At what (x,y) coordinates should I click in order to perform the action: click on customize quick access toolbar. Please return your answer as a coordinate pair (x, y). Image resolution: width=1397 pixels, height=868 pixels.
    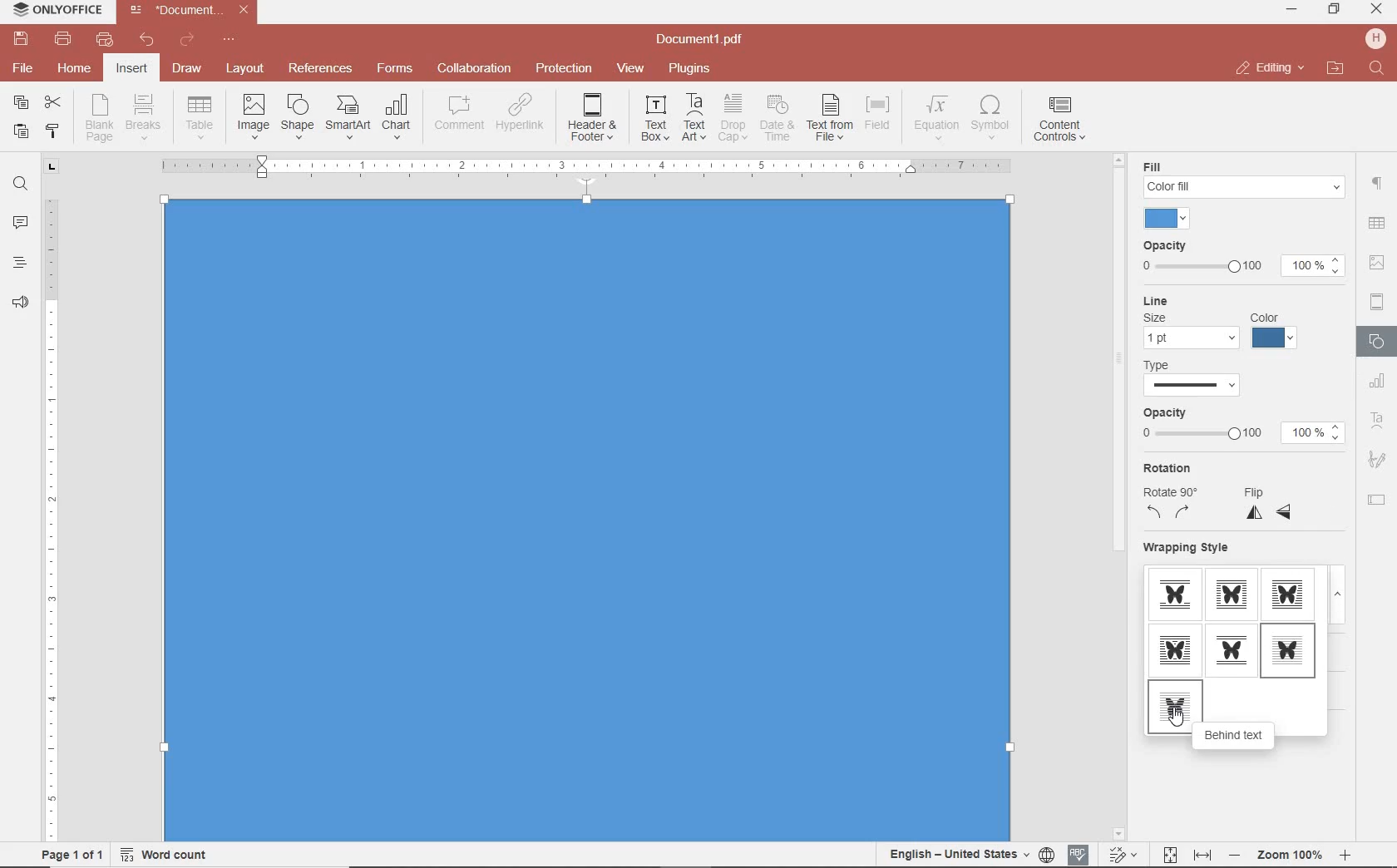
    Looking at the image, I should click on (229, 40).